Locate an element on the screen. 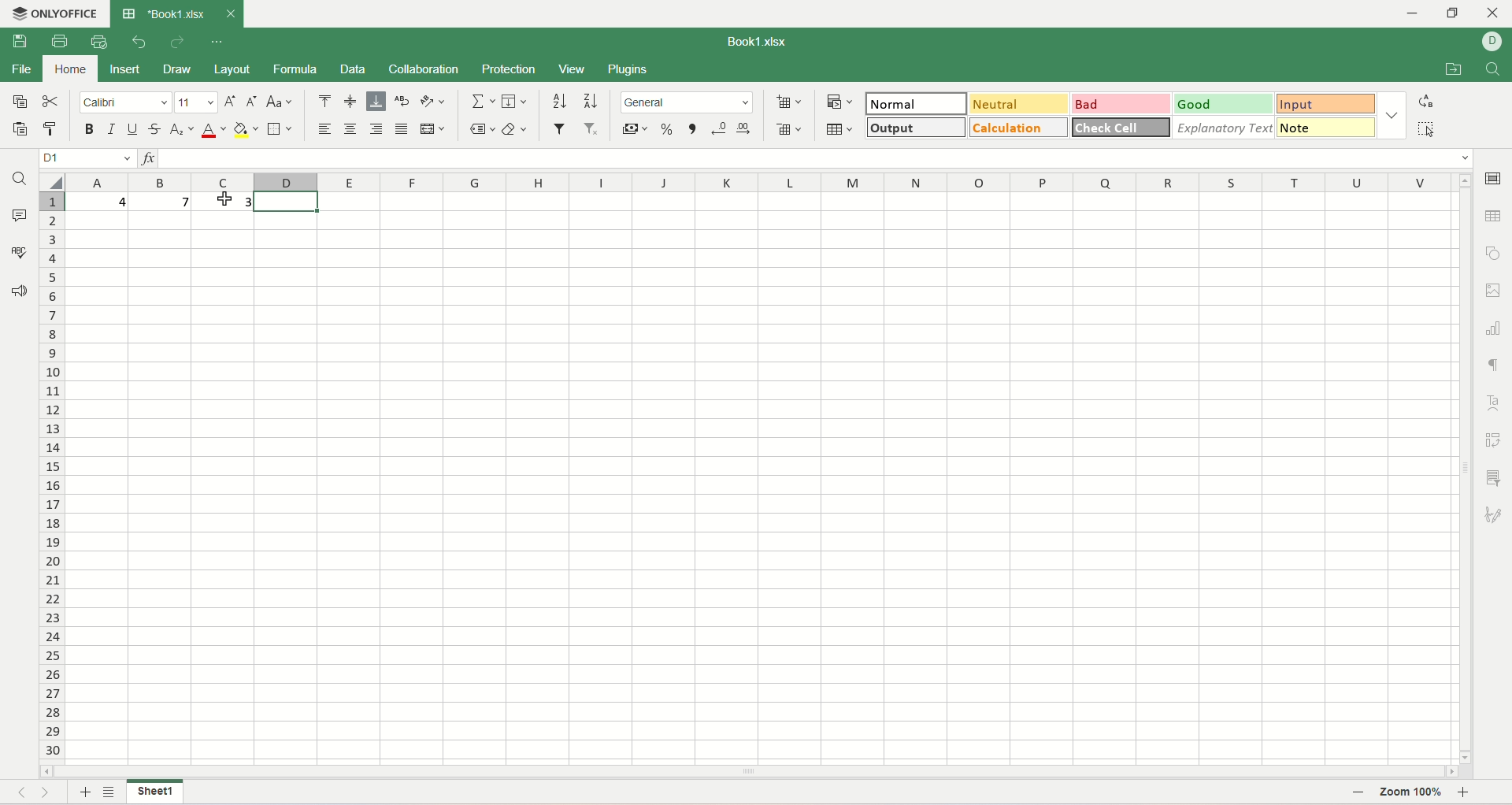 Image resolution: width=1512 pixels, height=805 pixels. sort ascending is located at coordinates (558, 101).